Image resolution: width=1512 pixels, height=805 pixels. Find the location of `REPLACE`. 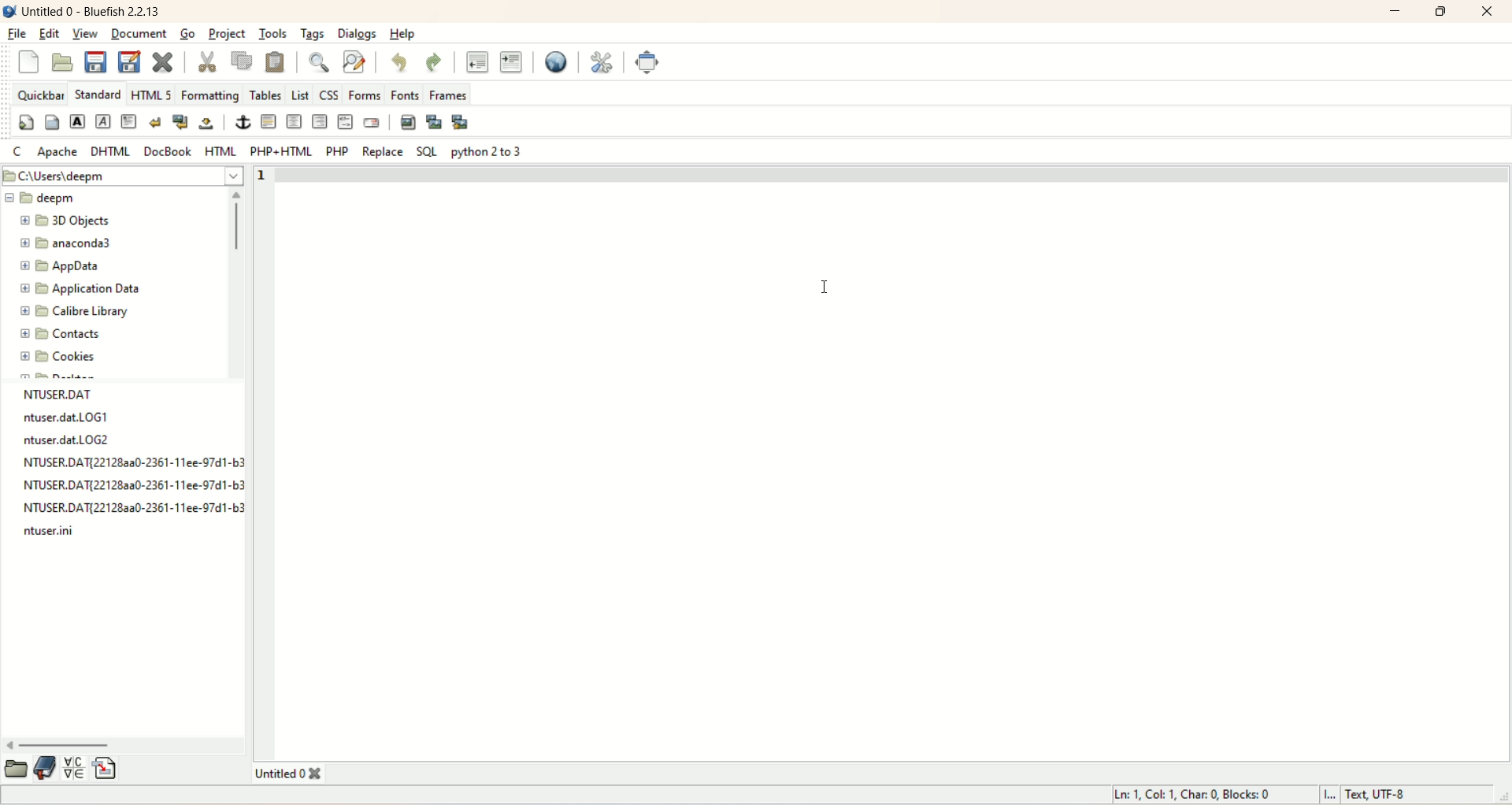

REPLACE is located at coordinates (384, 151).